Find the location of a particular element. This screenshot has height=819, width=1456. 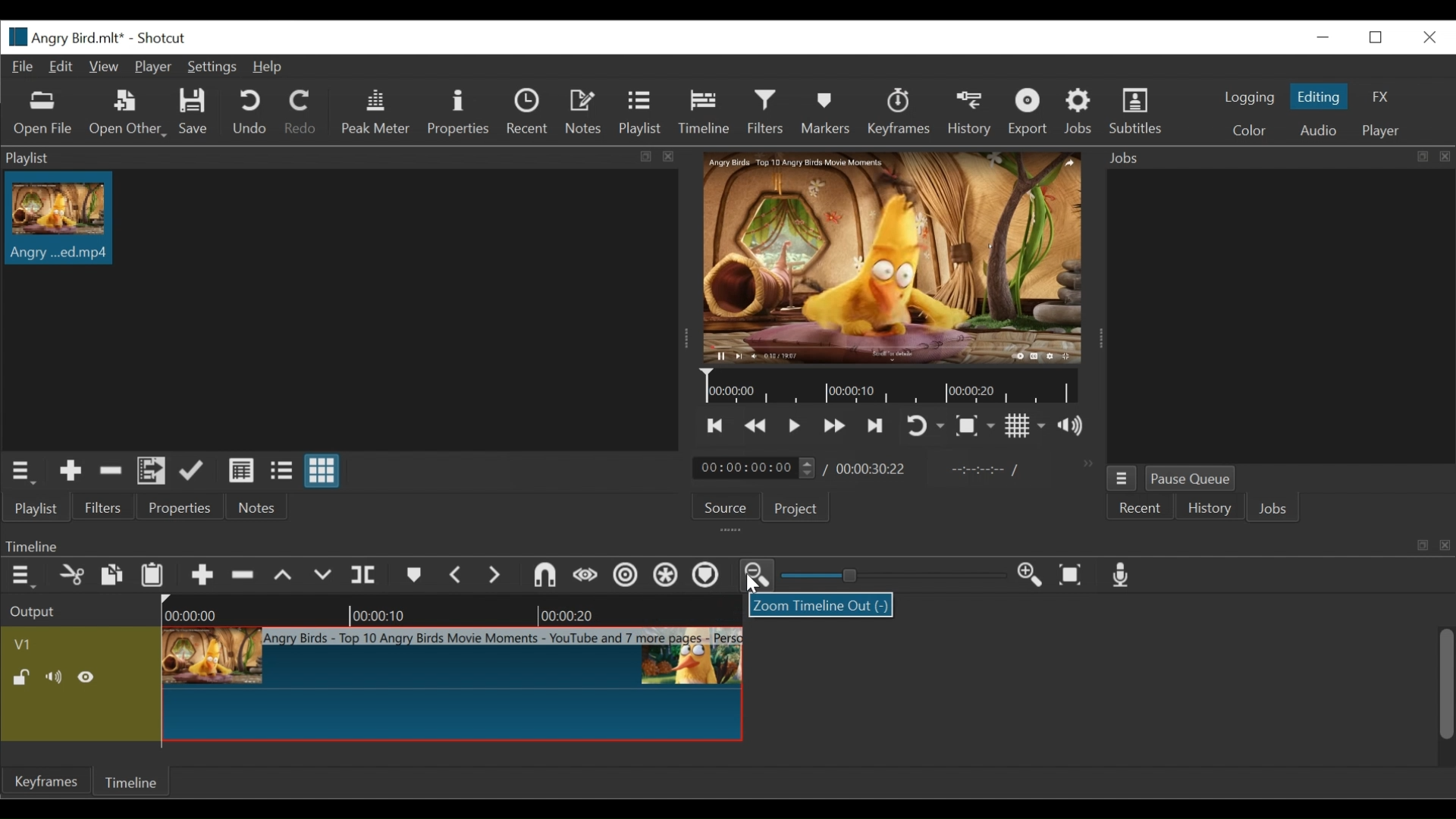

Next Marker is located at coordinates (497, 576).